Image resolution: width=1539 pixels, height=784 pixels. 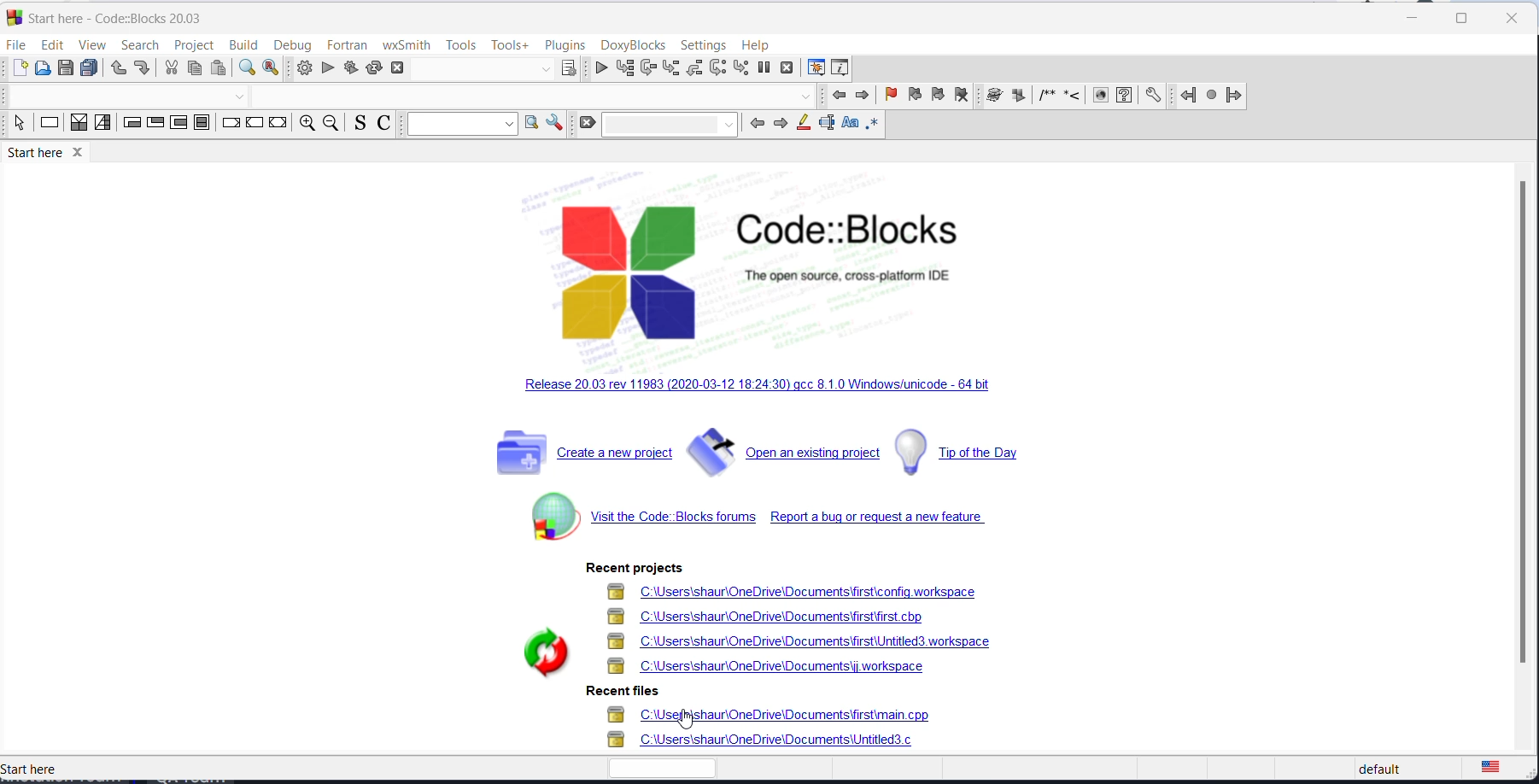 I want to click on ques, so click(x=1125, y=98).